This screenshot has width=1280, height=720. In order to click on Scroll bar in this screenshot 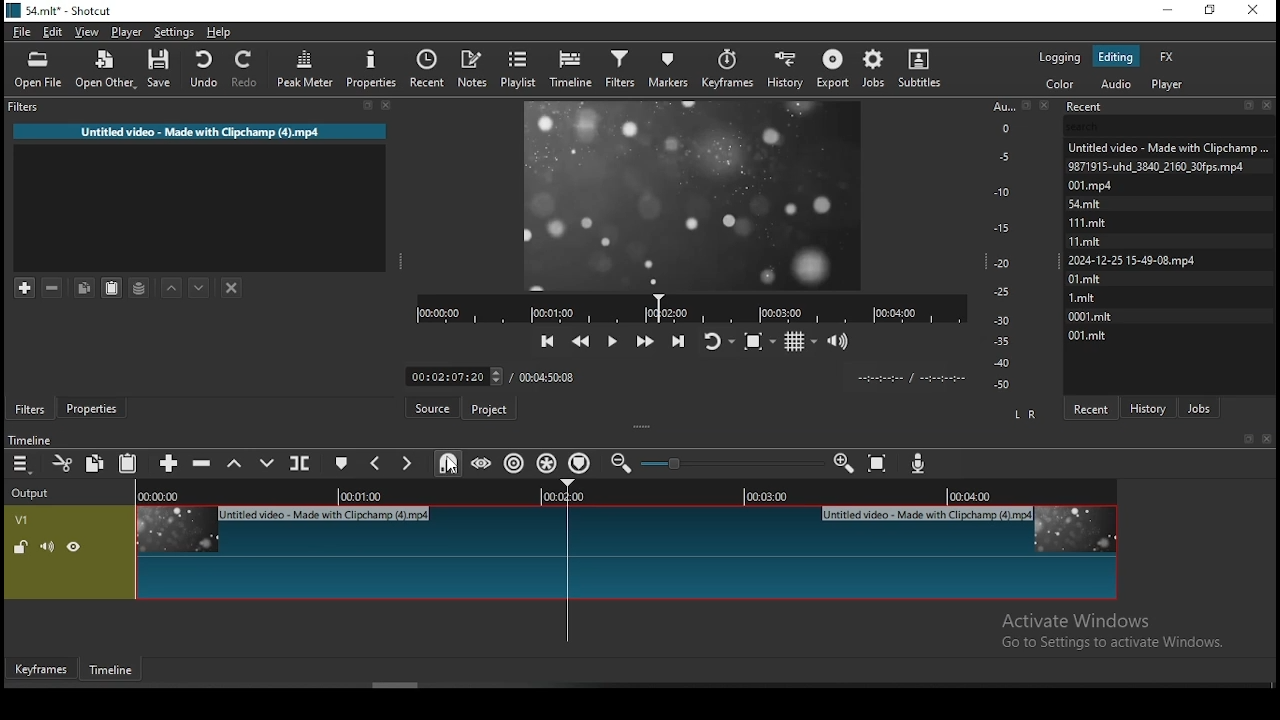, I will do `click(395, 686)`.